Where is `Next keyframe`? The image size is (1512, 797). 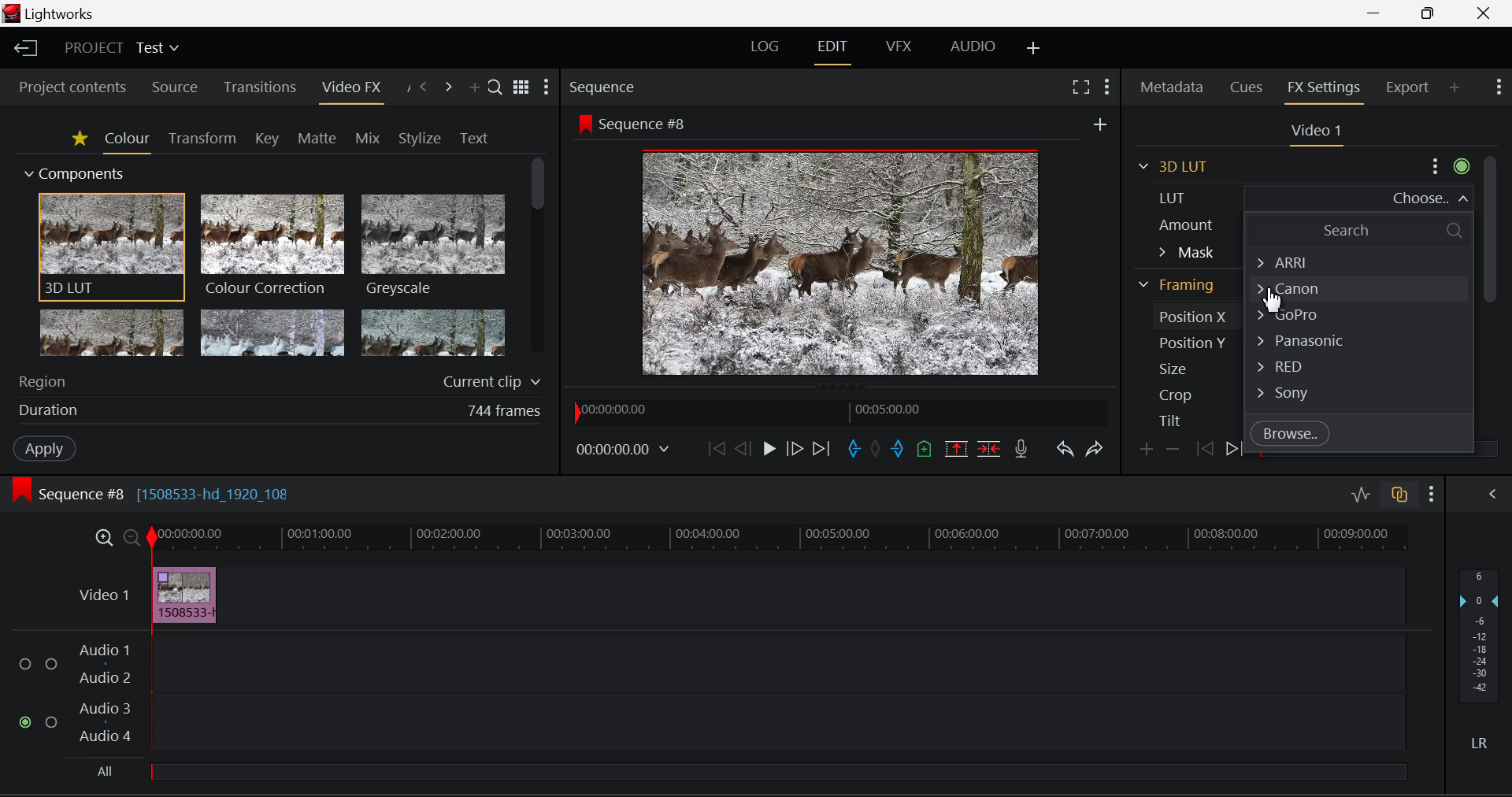
Next keyframe is located at coordinates (1235, 449).